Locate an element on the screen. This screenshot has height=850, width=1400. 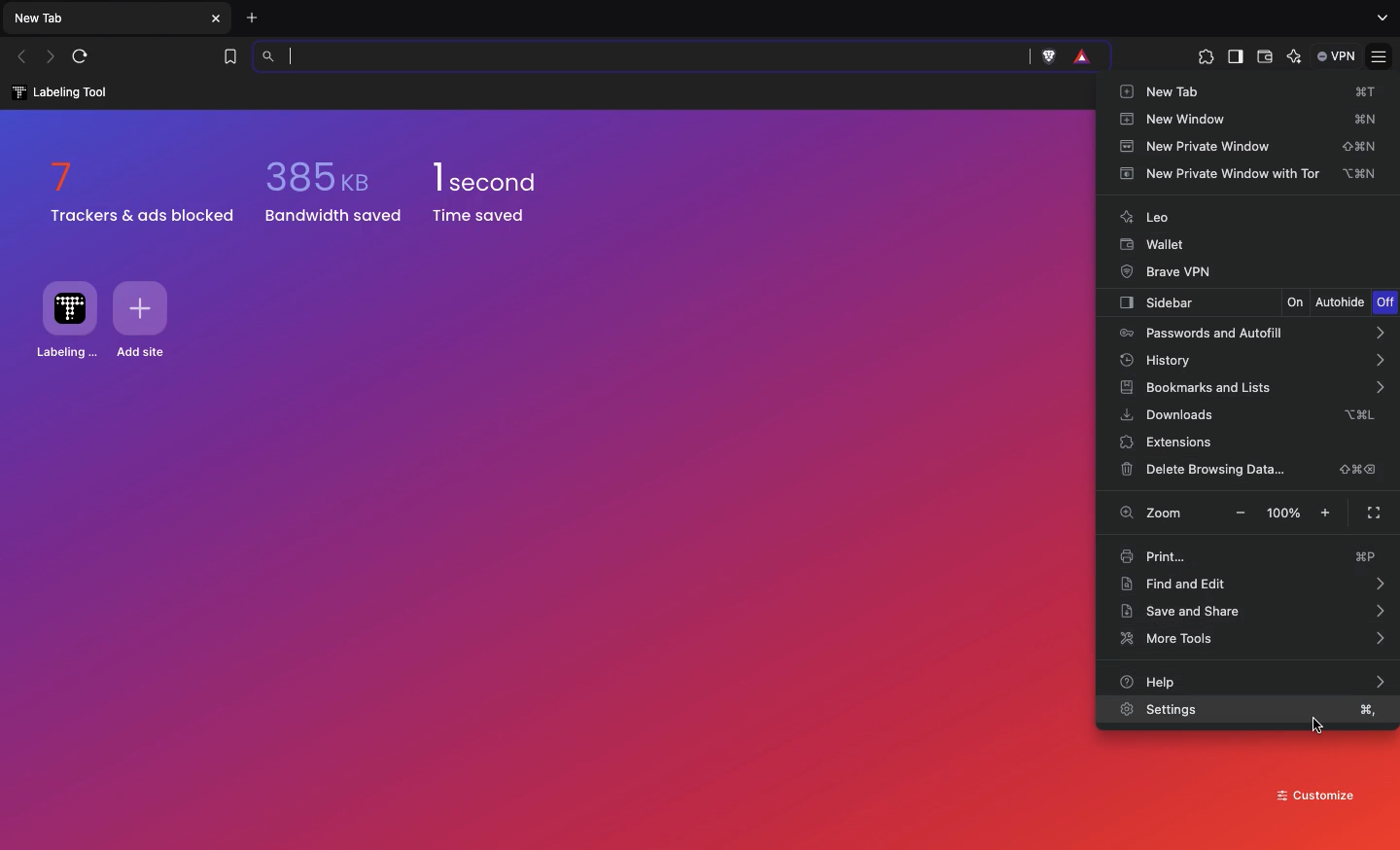
Leo AI is located at coordinates (1294, 57).